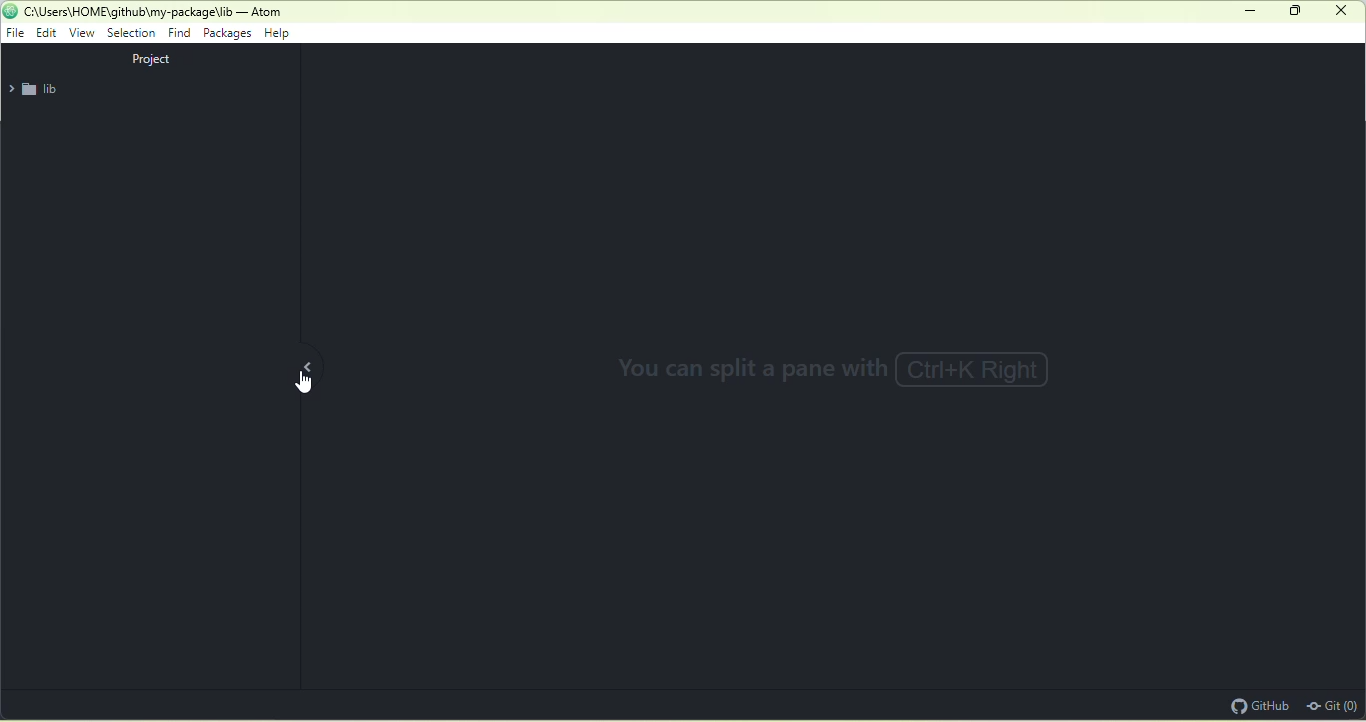 Image resolution: width=1366 pixels, height=722 pixels. What do you see at coordinates (10, 90) in the screenshot?
I see `drop down` at bounding box center [10, 90].